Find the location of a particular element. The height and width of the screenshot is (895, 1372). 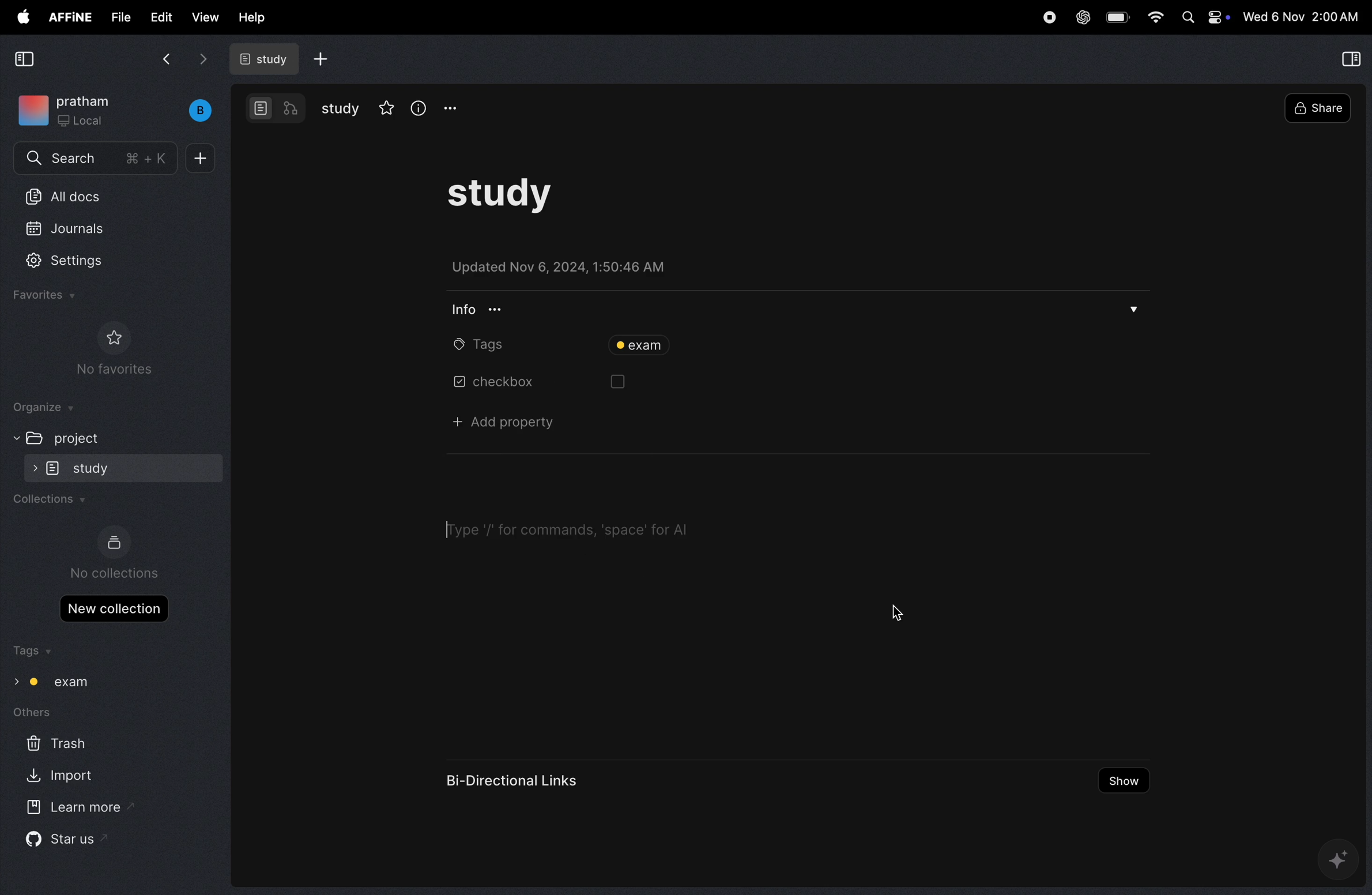

settings is located at coordinates (79, 259).